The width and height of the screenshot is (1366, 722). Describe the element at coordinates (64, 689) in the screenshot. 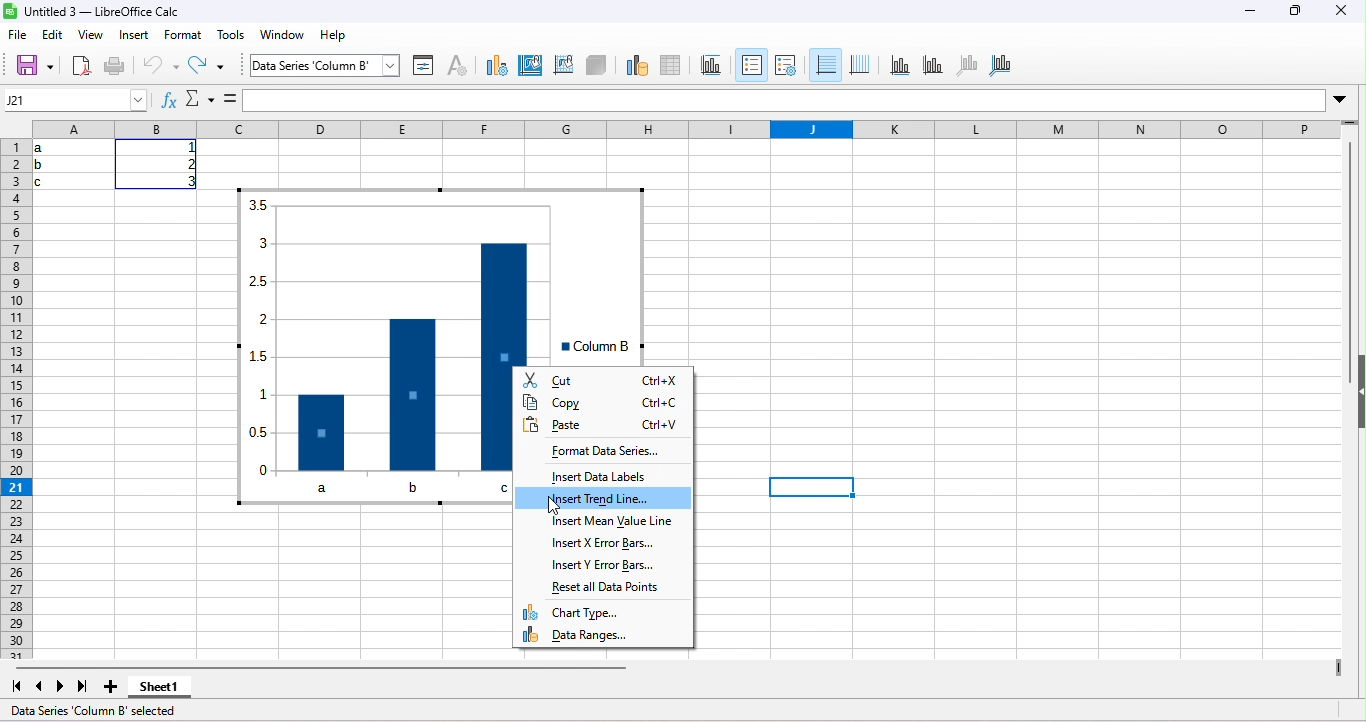

I see `next sheet` at that location.